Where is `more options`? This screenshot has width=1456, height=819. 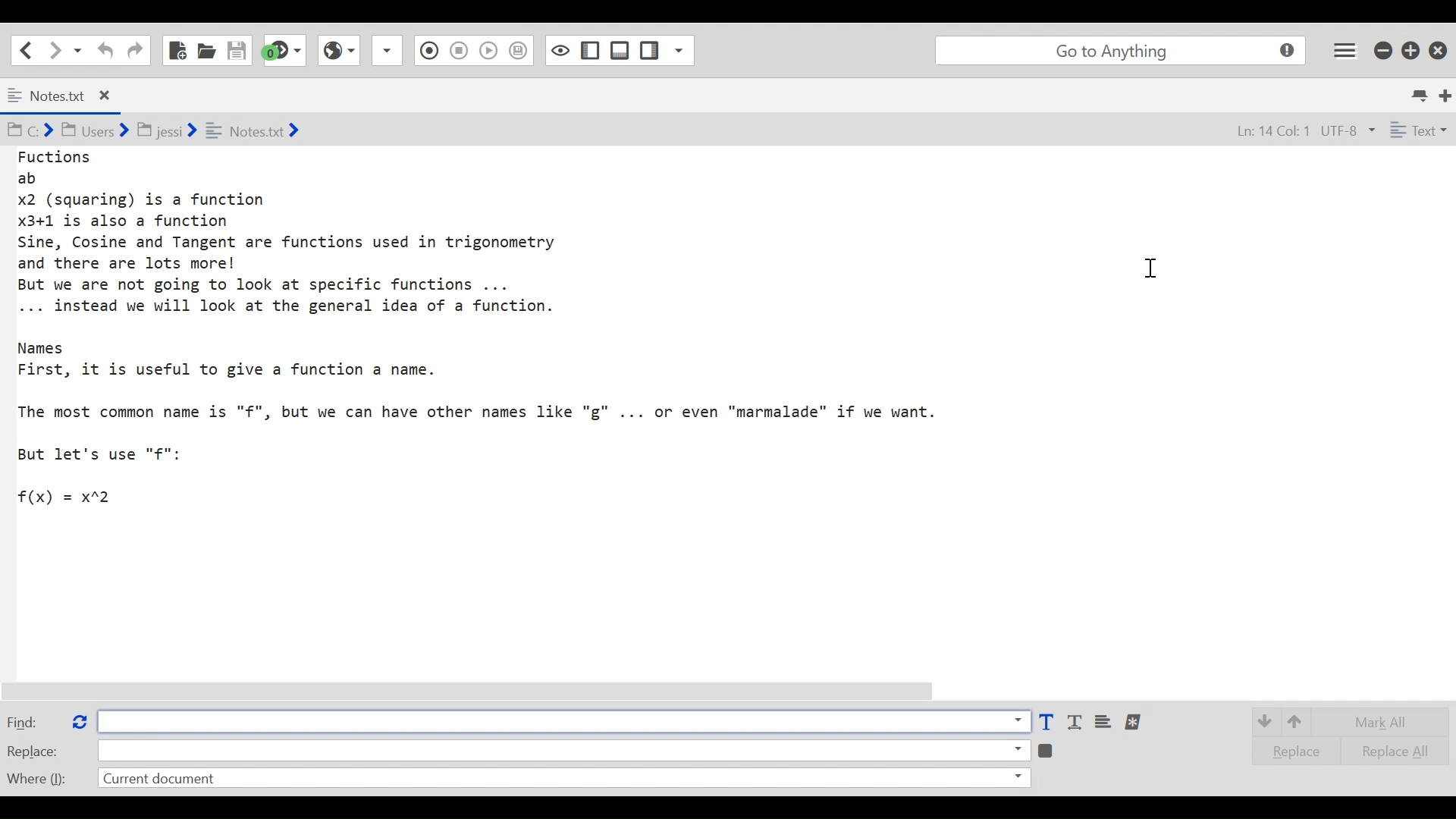 more options is located at coordinates (1134, 722).